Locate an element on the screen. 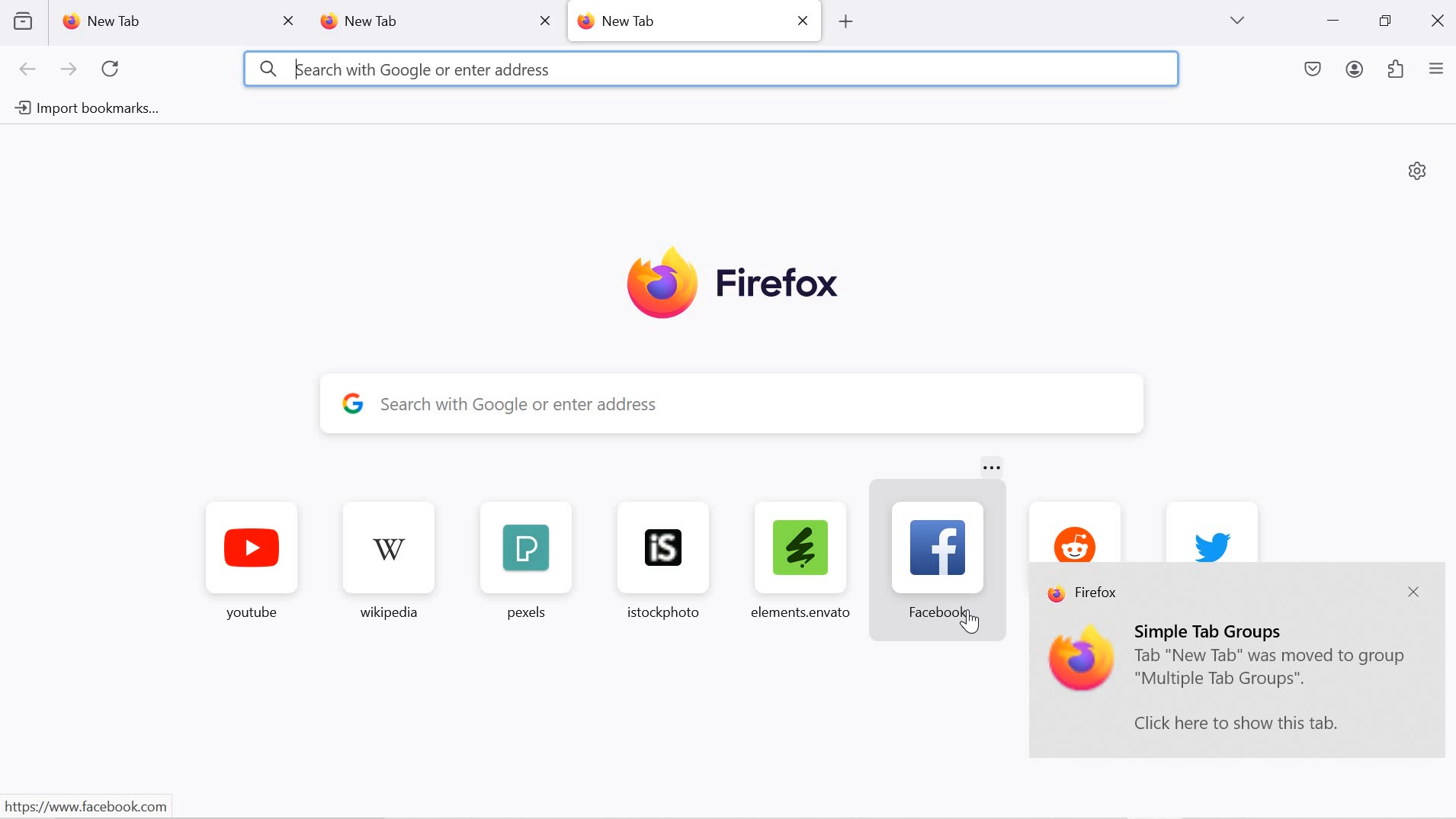  firefox icon is located at coordinates (1082, 660).